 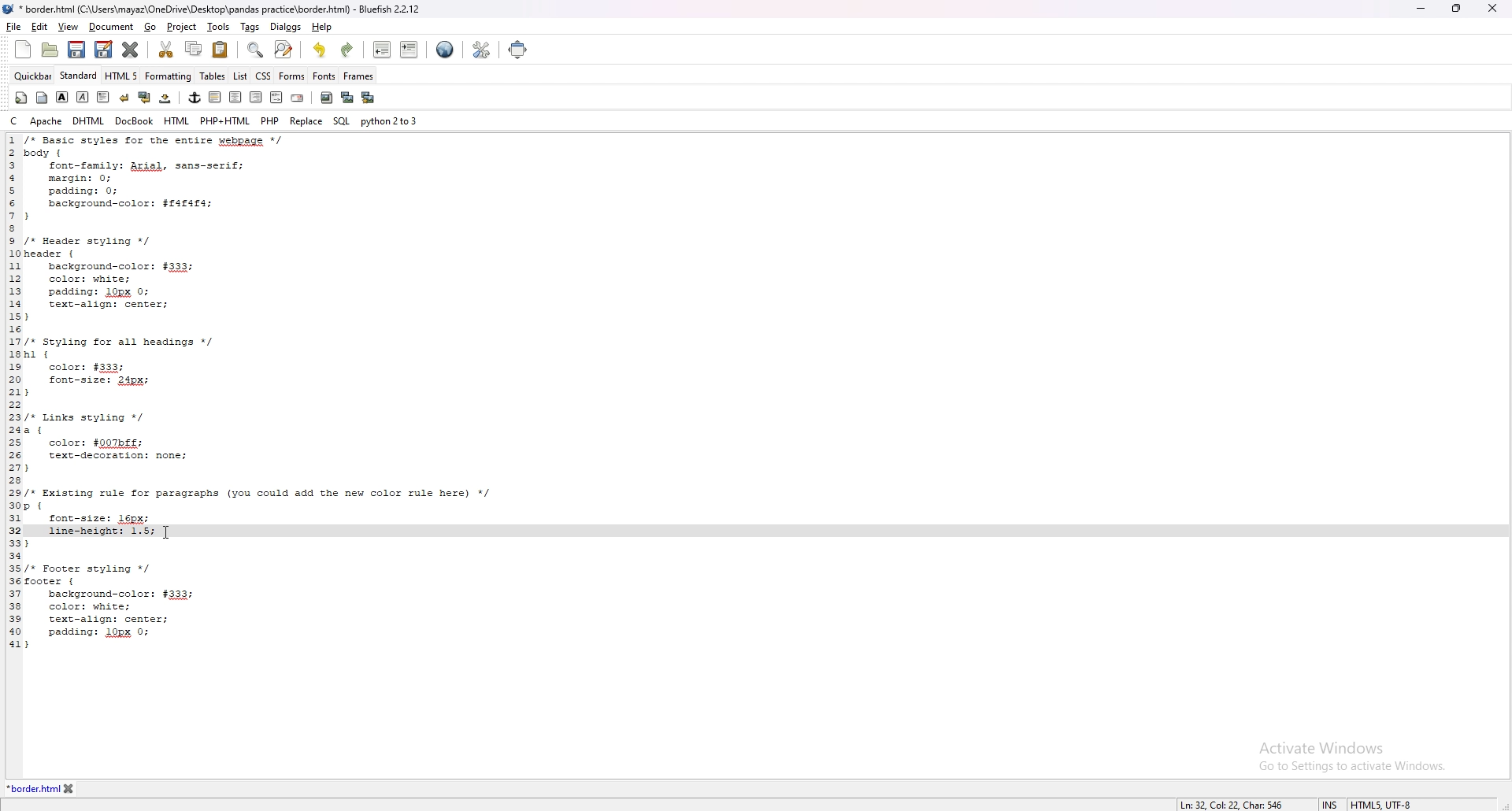 What do you see at coordinates (14, 26) in the screenshot?
I see `file` at bounding box center [14, 26].